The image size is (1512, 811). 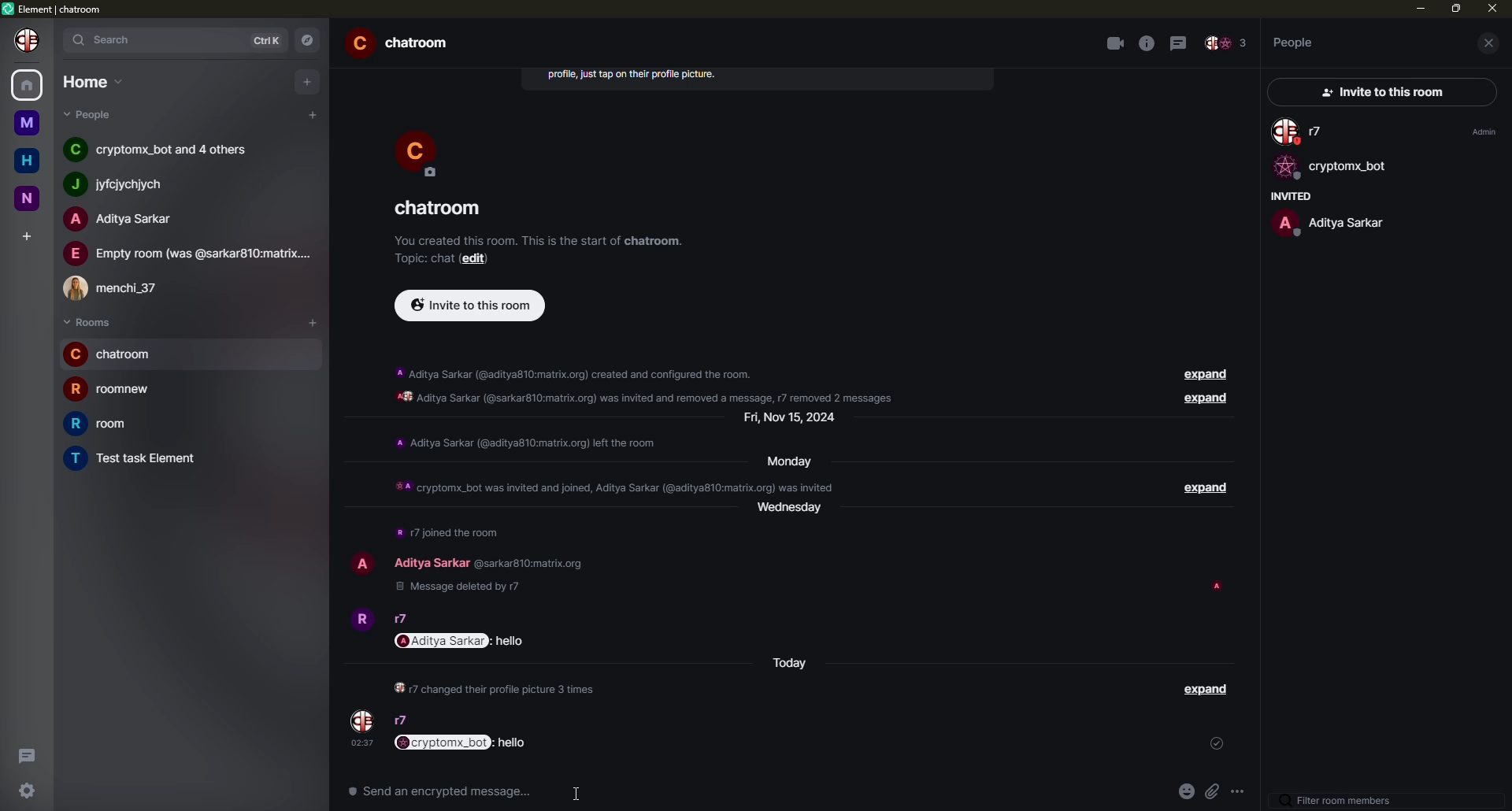 What do you see at coordinates (1492, 9) in the screenshot?
I see `close` at bounding box center [1492, 9].